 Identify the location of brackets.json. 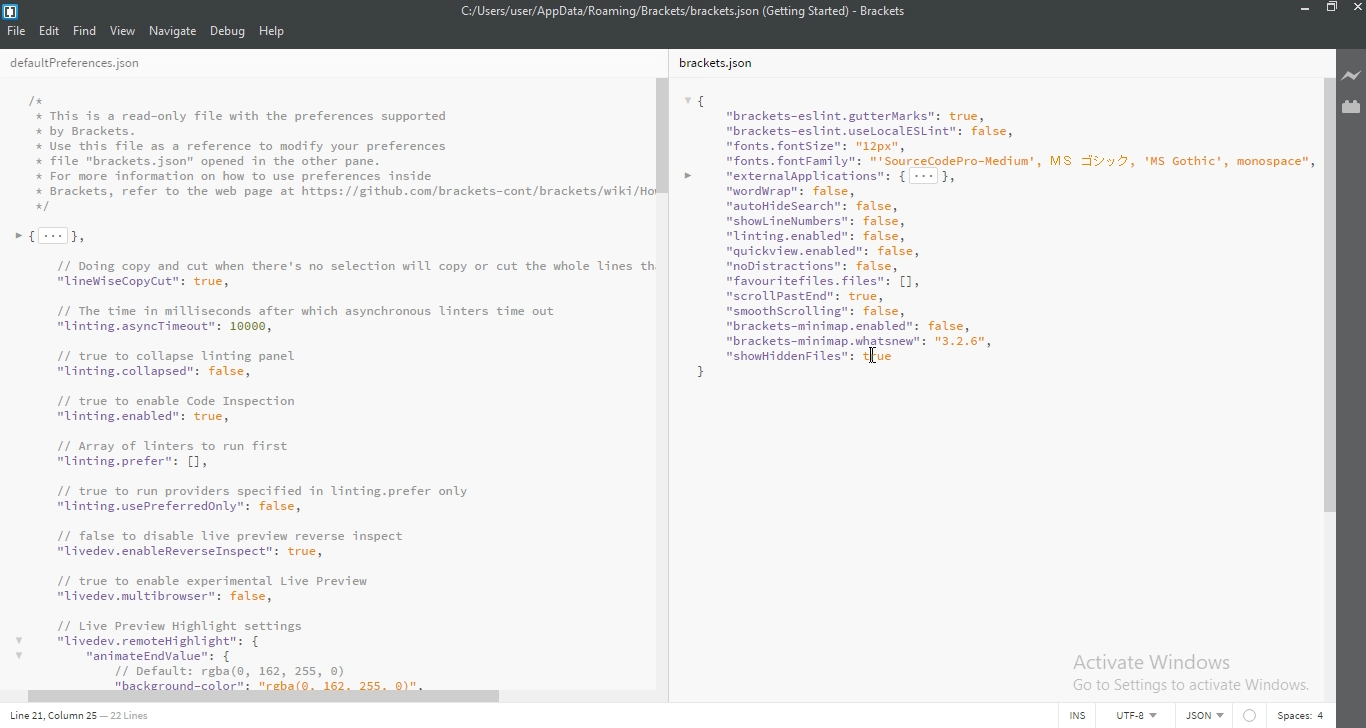
(716, 62).